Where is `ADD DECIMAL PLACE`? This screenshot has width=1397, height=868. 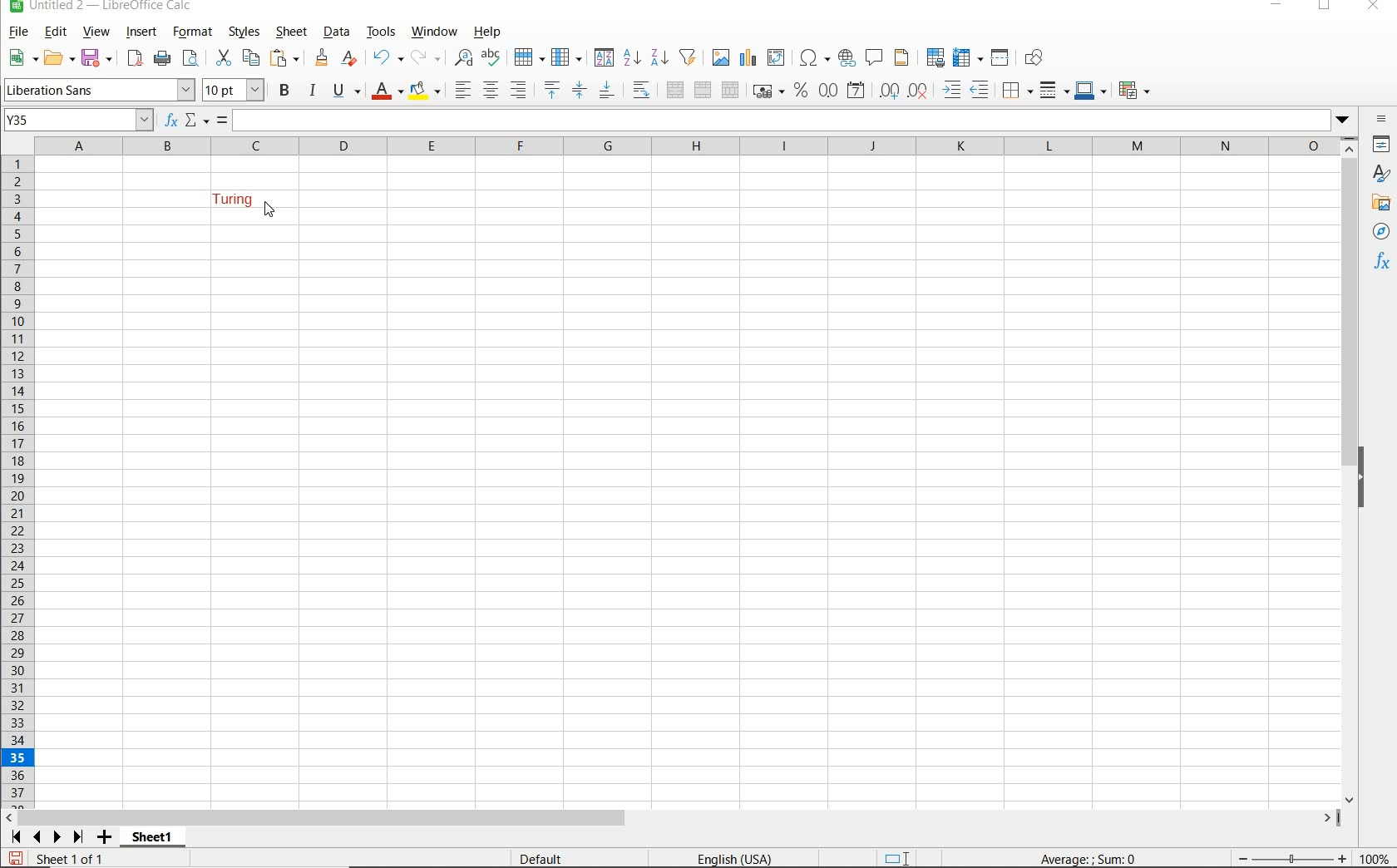 ADD DECIMAL PLACE is located at coordinates (889, 92).